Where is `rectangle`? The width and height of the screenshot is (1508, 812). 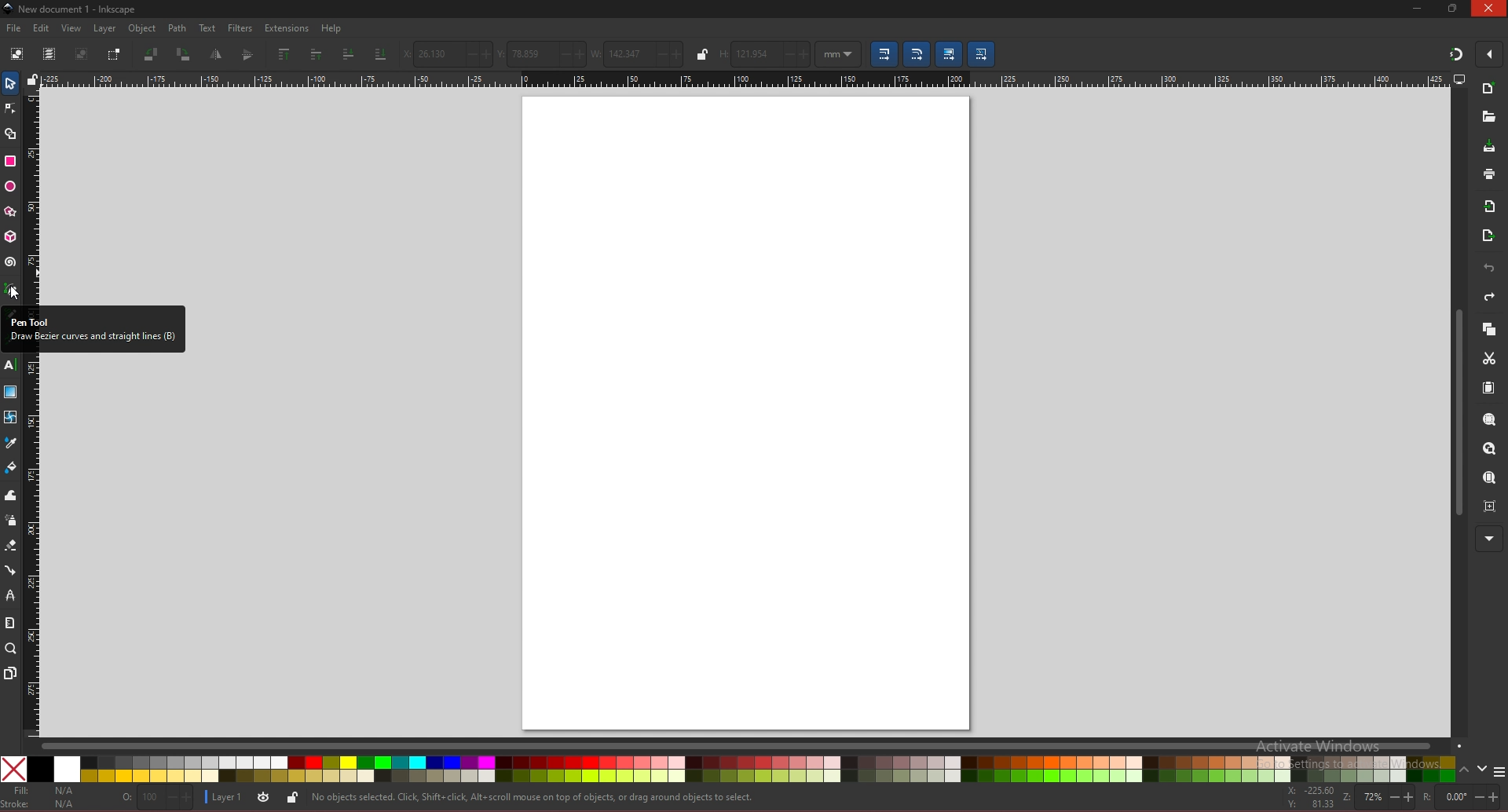
rectangle is located at coordinates (9, 161).